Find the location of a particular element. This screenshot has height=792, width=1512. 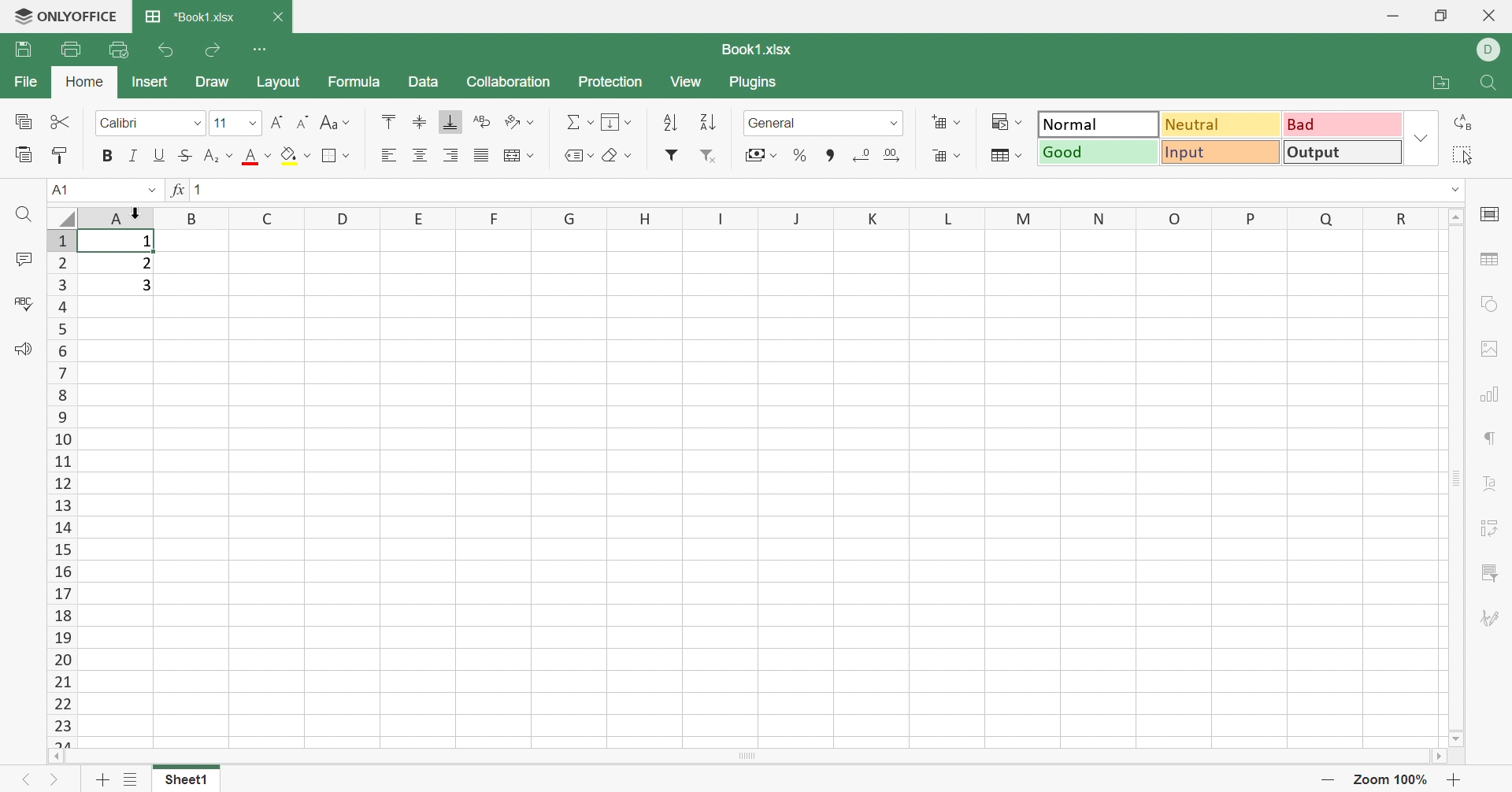

Bold is located at coordinates (109, 154).